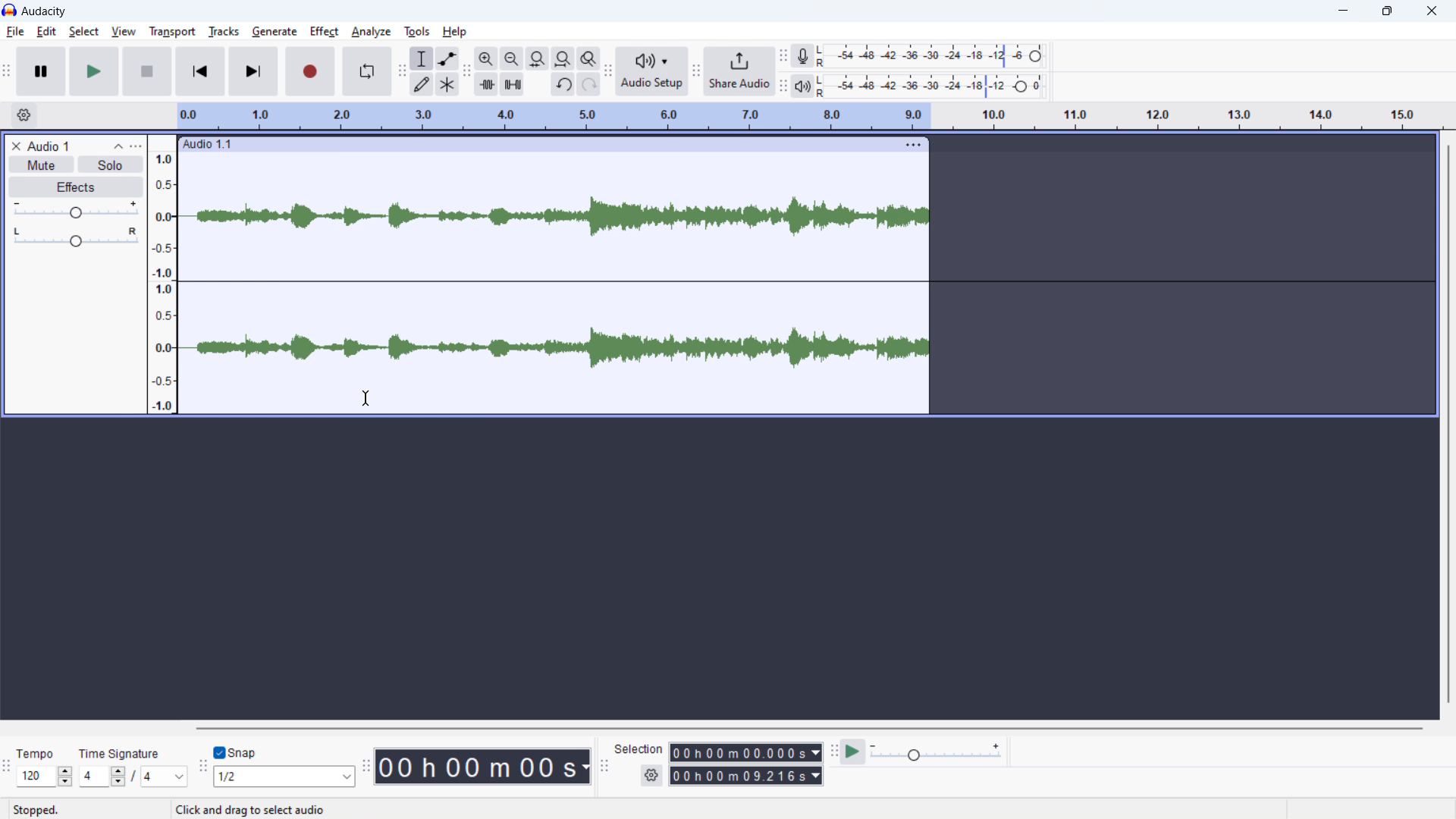  What do you see at coordinates (808, 116) in the screenshot?
I see `timeline` at bounding box center [808, 116].